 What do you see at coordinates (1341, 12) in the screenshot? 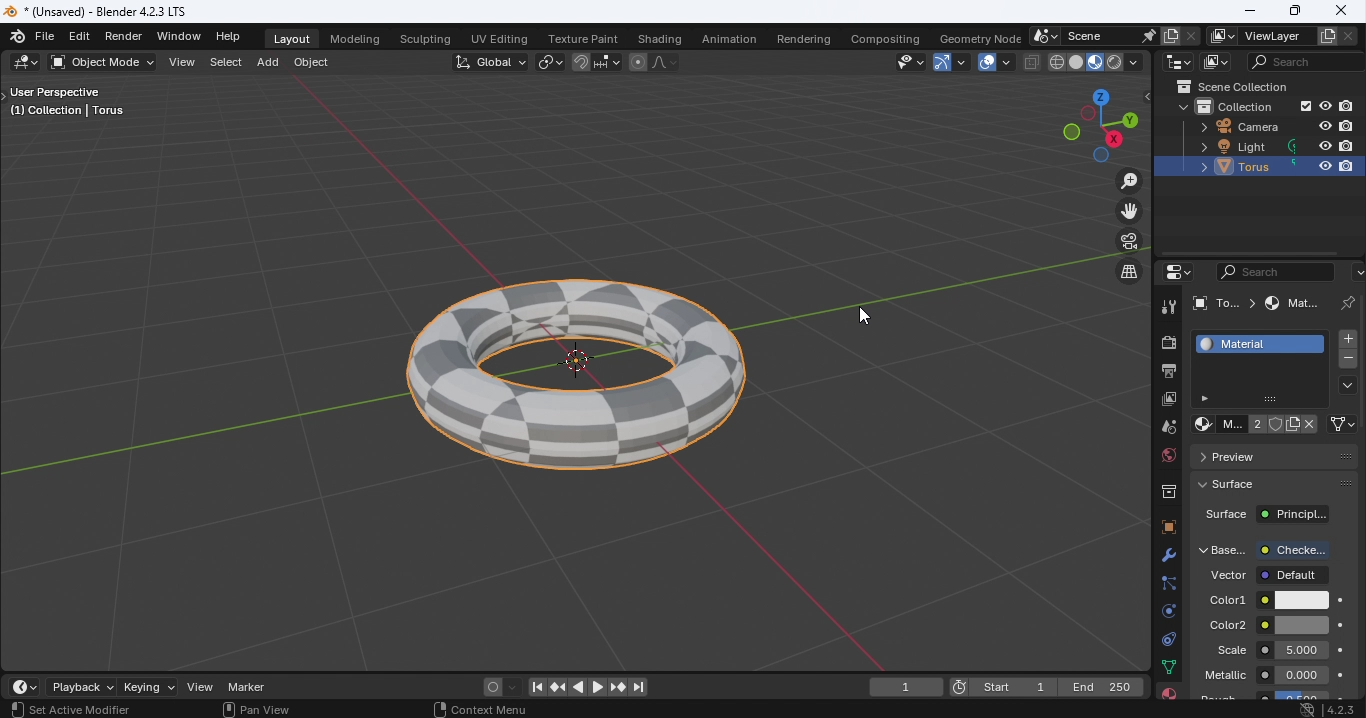
I see `Close` at bounding box center [1341, 12].